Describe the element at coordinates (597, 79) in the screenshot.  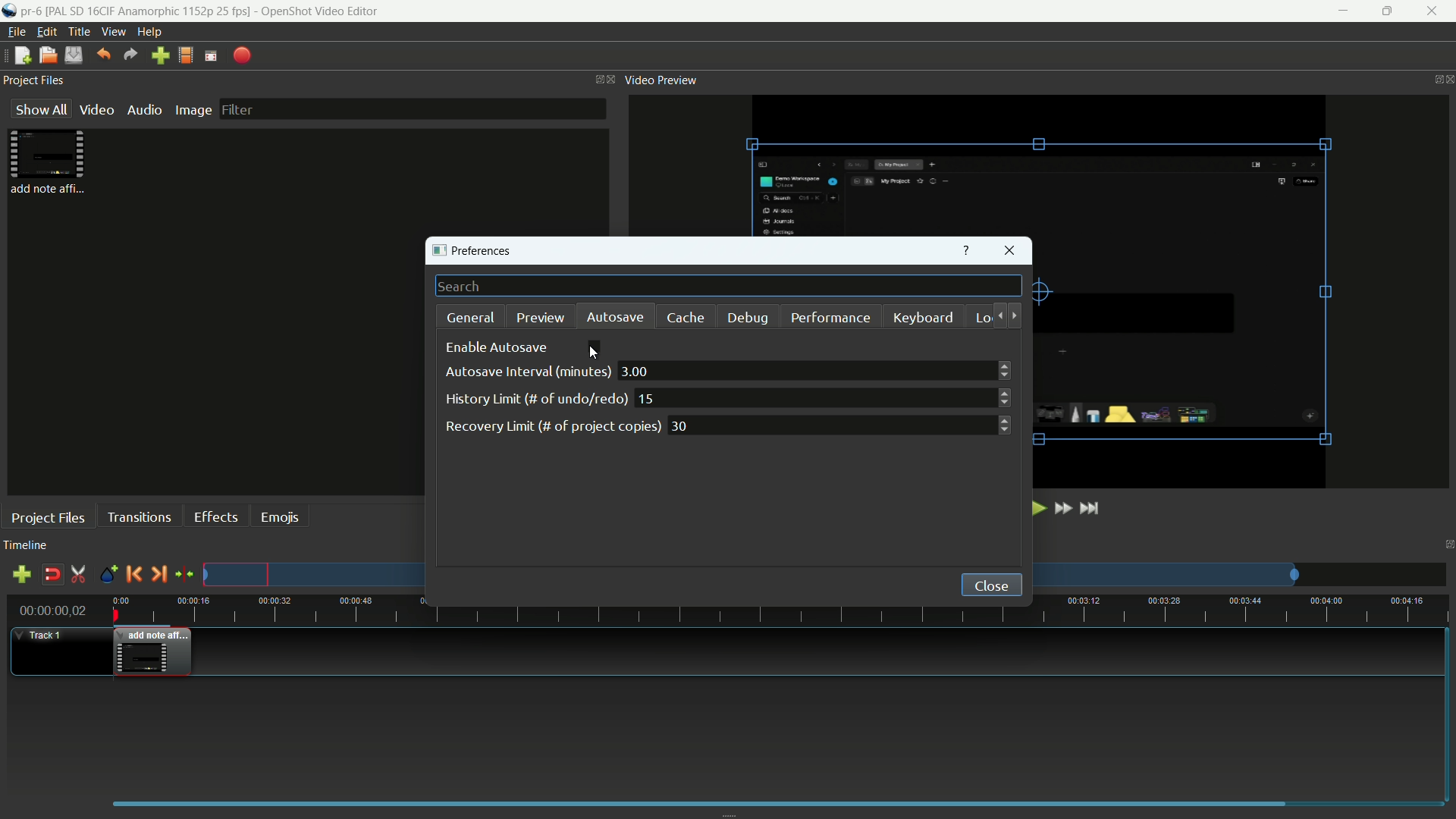
I see `change layout` at that location.